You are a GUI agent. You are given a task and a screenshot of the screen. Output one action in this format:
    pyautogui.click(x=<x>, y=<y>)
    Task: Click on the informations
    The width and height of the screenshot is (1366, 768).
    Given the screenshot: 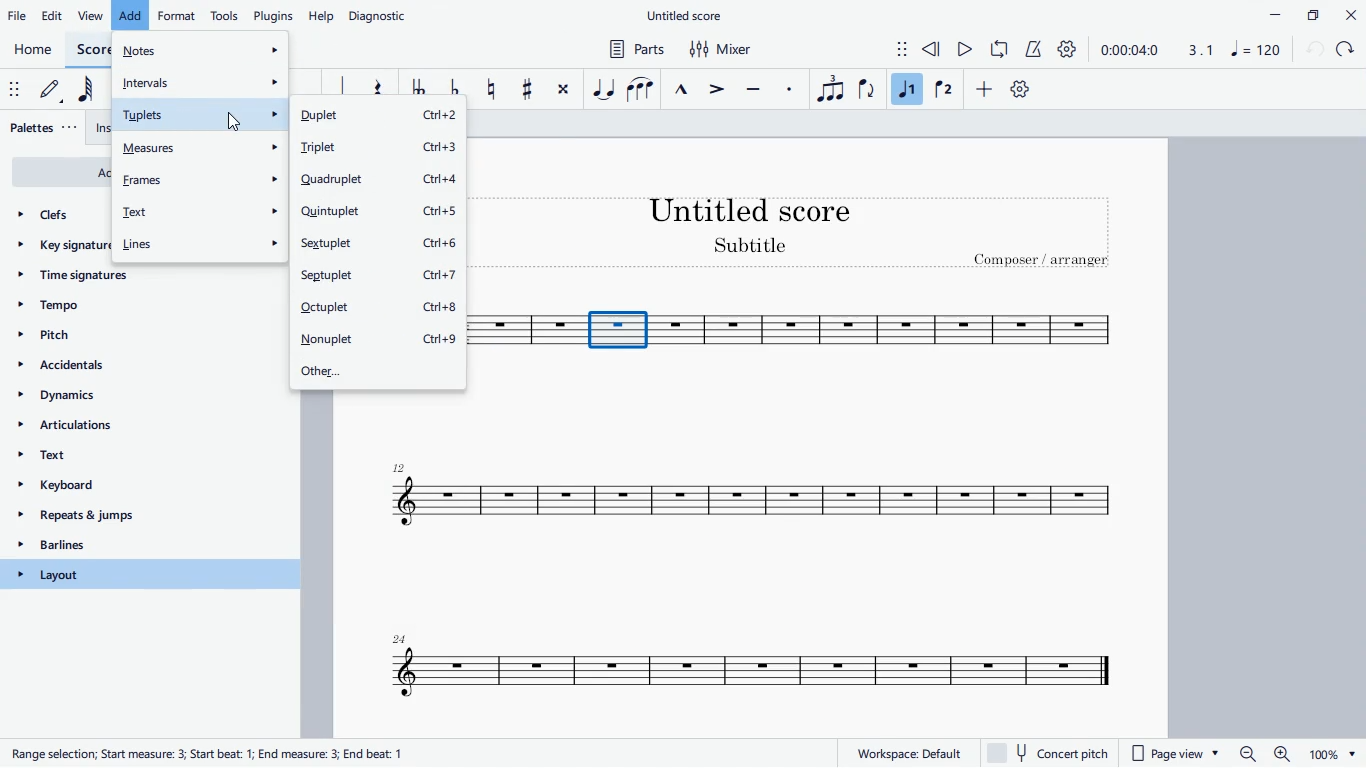 What is the action you would take?
    pyautogui.click(x=211, y=751)
    